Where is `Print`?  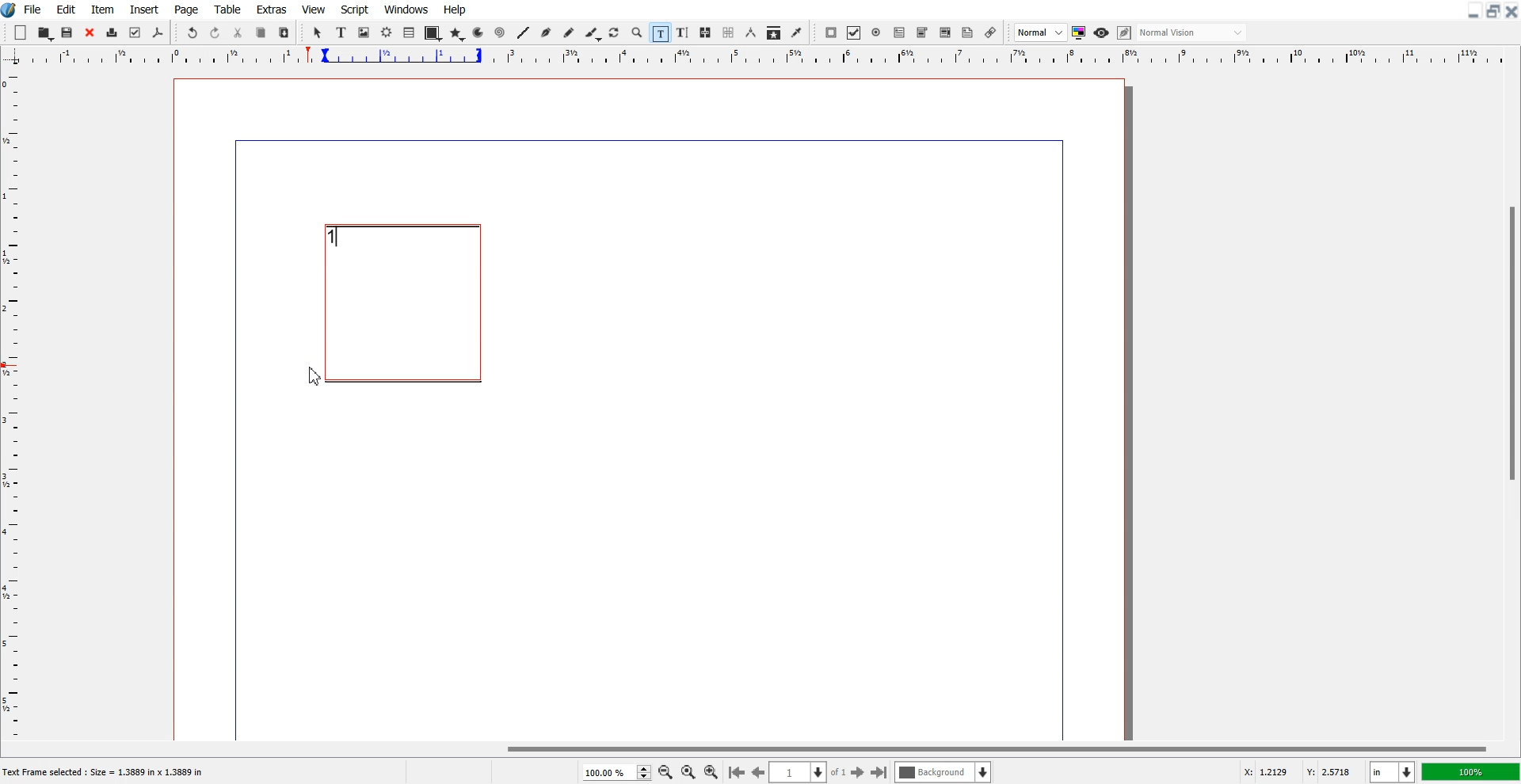 Print is located at coordinates (112, 34).